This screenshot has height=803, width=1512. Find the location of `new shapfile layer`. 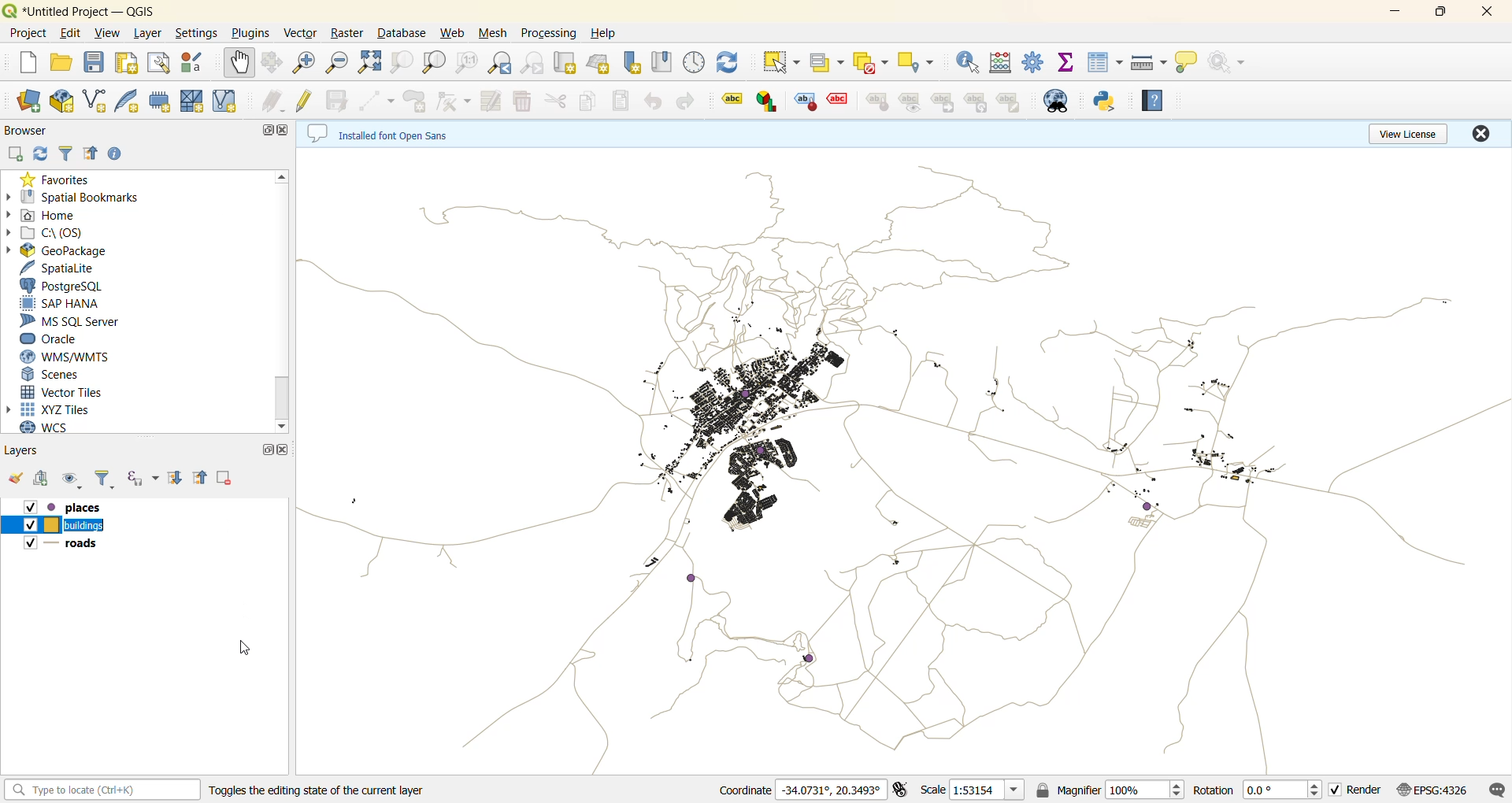

new shapfile layer is located at coordinates (95, 103).